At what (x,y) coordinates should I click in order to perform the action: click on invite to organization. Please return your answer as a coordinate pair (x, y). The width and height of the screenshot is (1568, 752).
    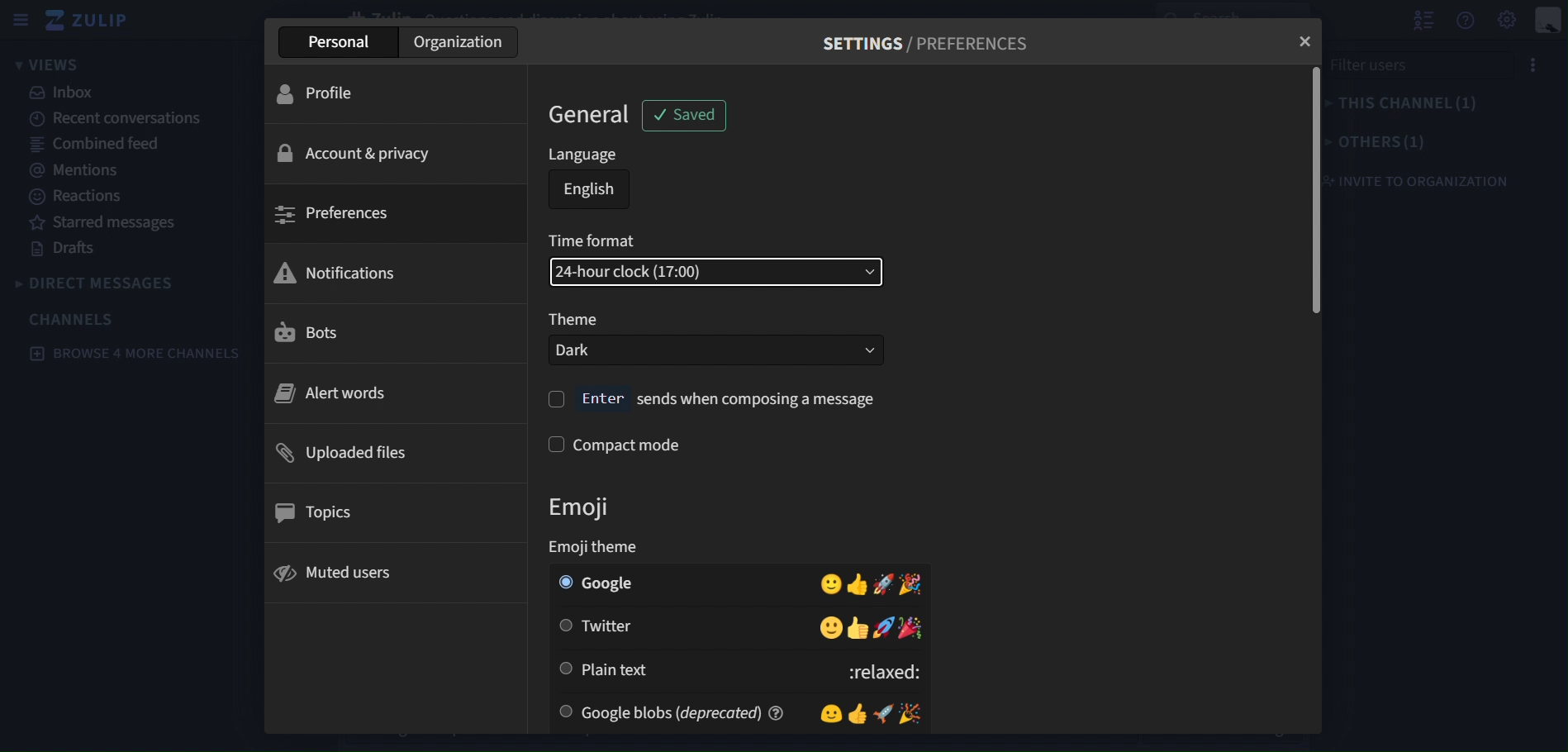
    Looking at the image, I should click on (1428, 180).